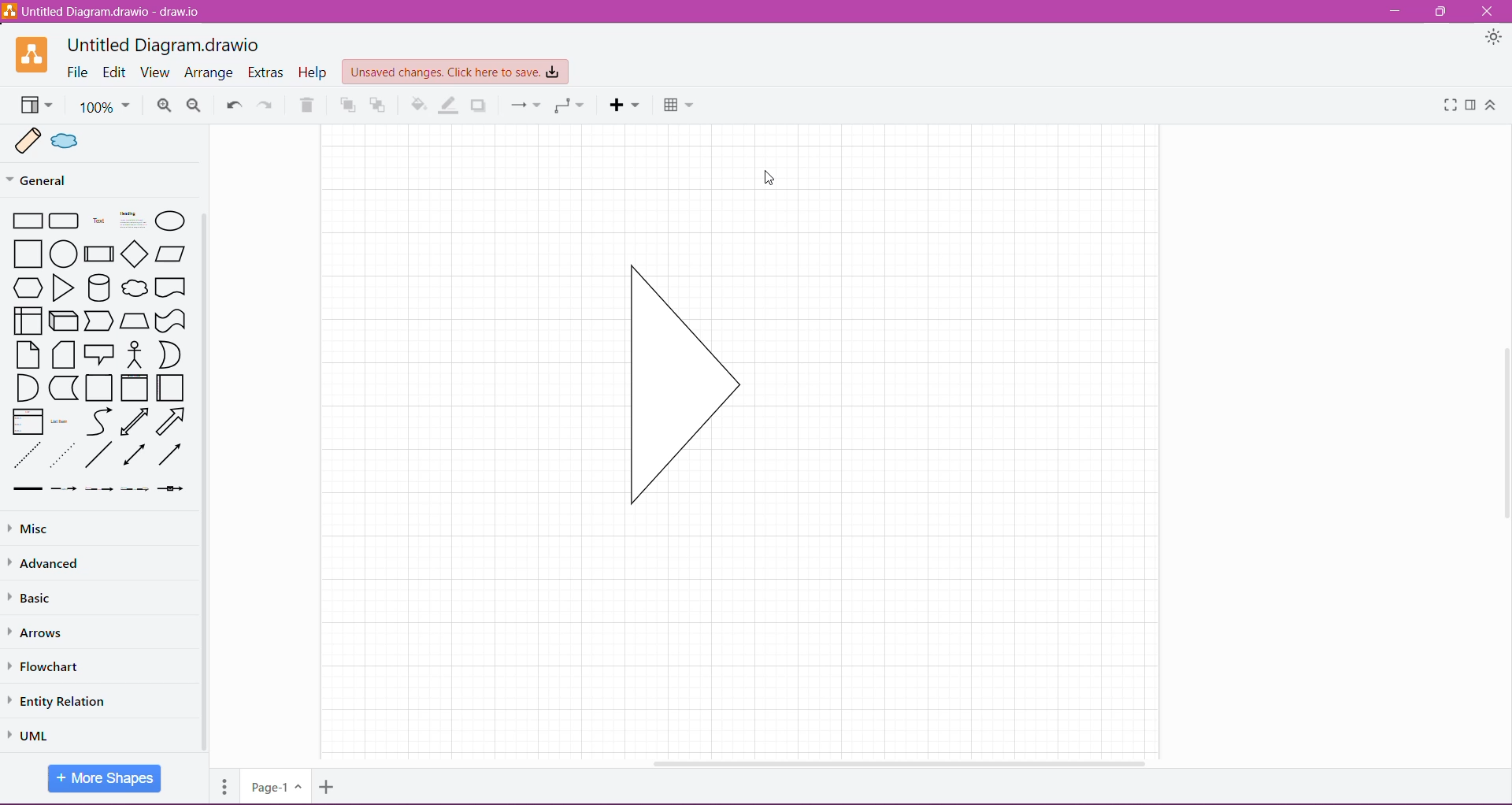 The height and width of the screenshot is (805, 1512). Describe the element at coordinates (169, 43) in the screenshot. I see `Untitled Diagram.draw.io` at that location.